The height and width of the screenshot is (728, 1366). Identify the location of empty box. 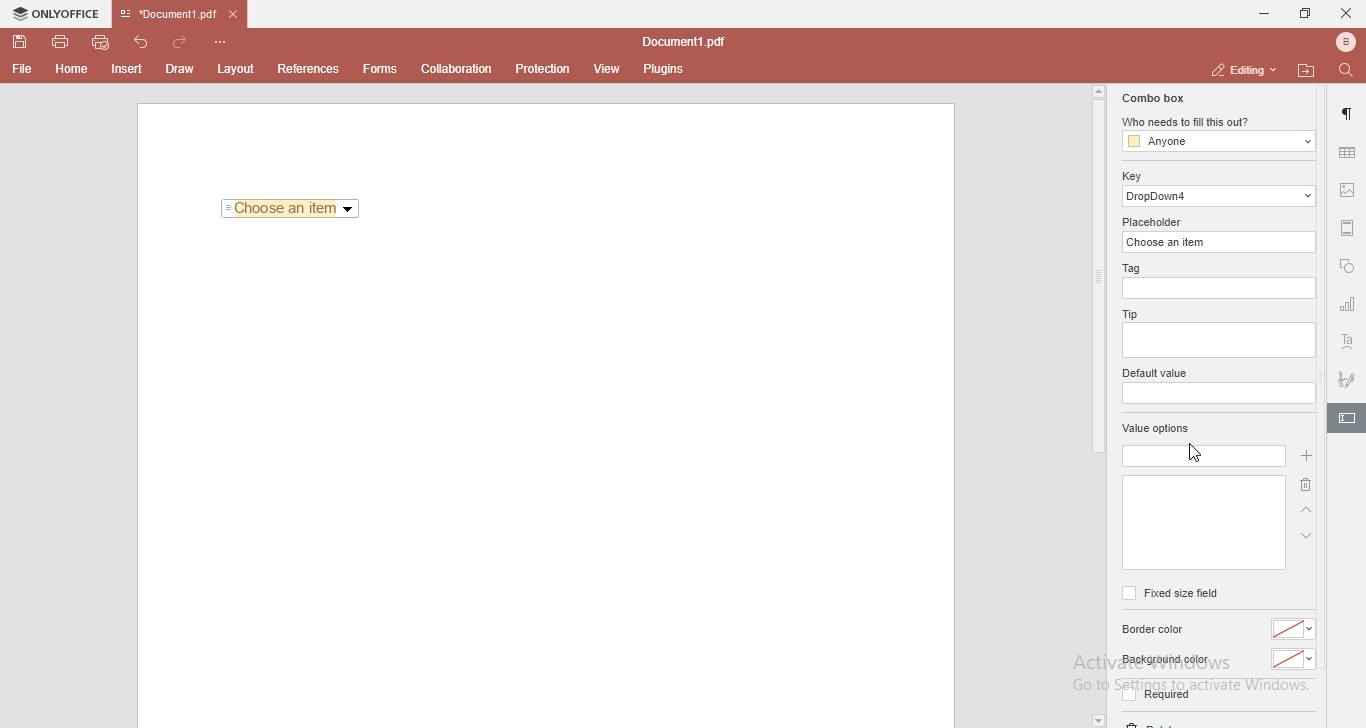
(1202, 456).